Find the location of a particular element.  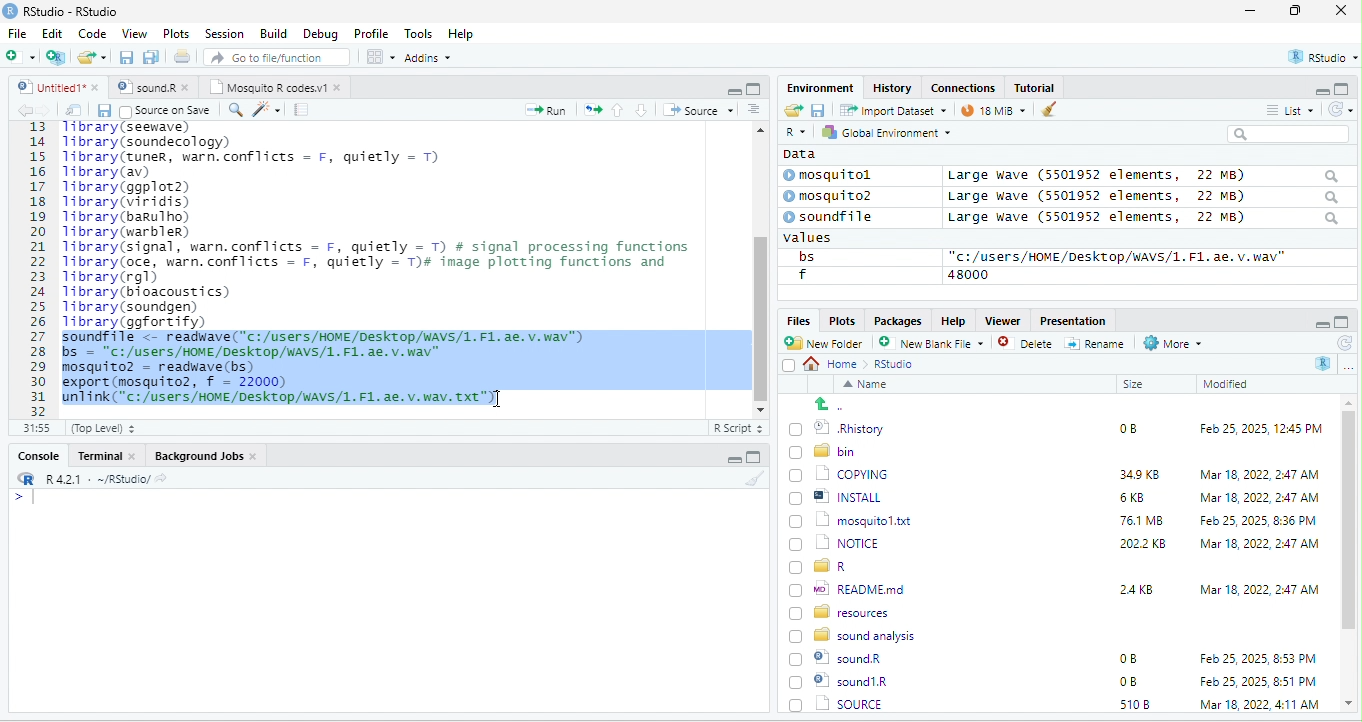

minimize is located at coordinates (733, 90).